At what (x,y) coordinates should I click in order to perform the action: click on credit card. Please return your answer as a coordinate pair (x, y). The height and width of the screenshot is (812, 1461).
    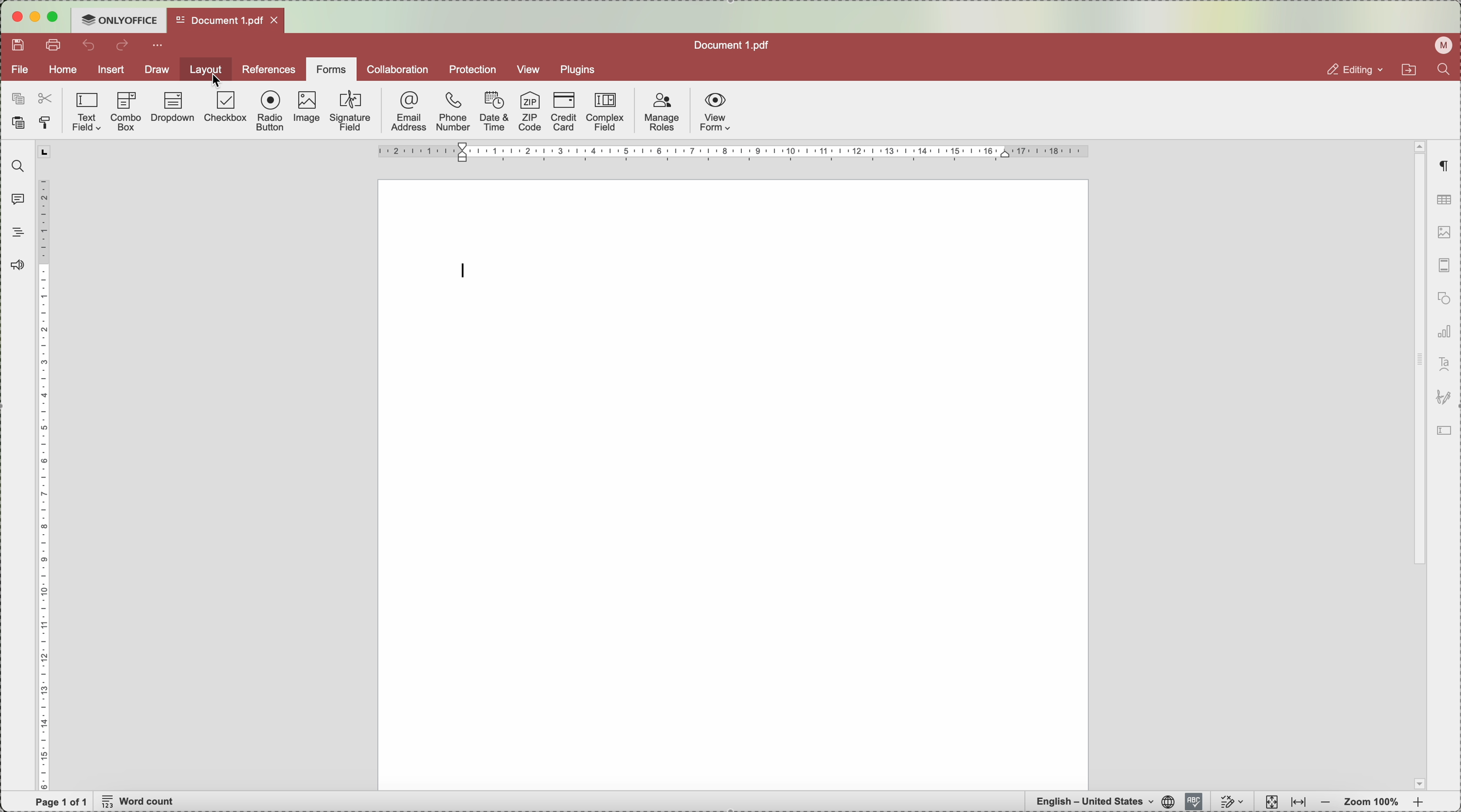
    Looking at the image, I should click on (564, 112).